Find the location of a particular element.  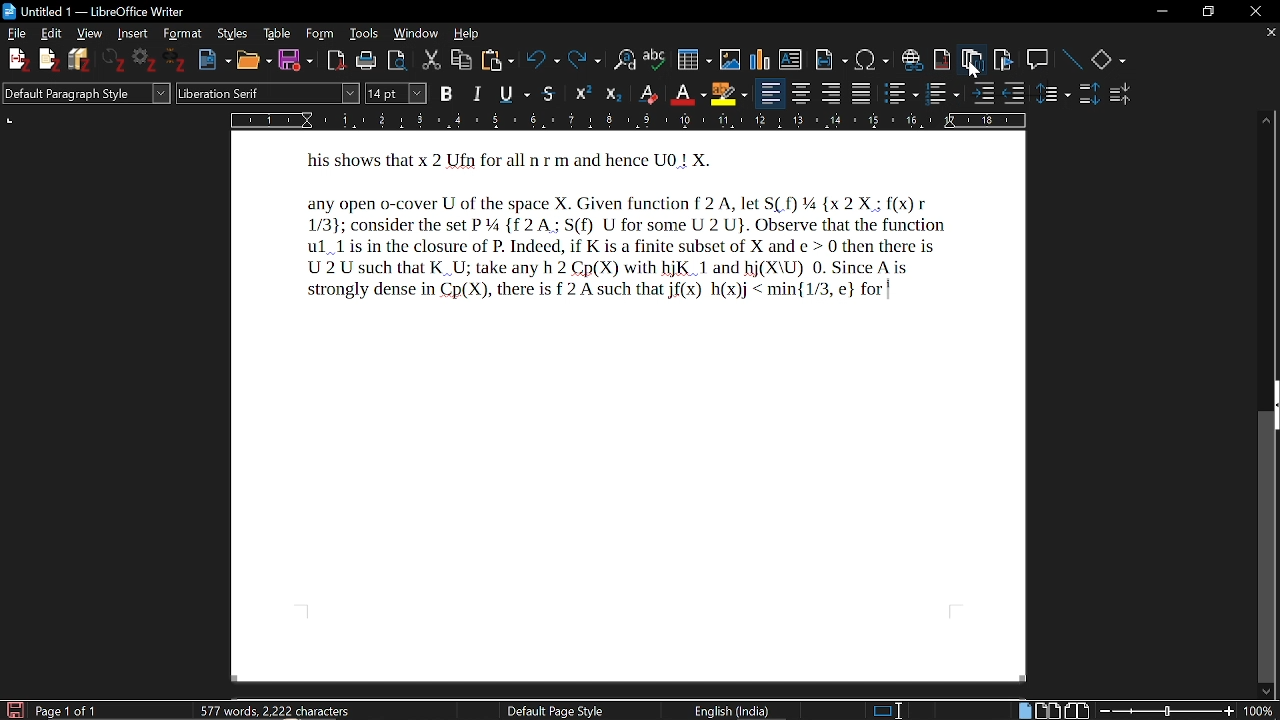

Decrease indent is located at coordinates (1014, 95).